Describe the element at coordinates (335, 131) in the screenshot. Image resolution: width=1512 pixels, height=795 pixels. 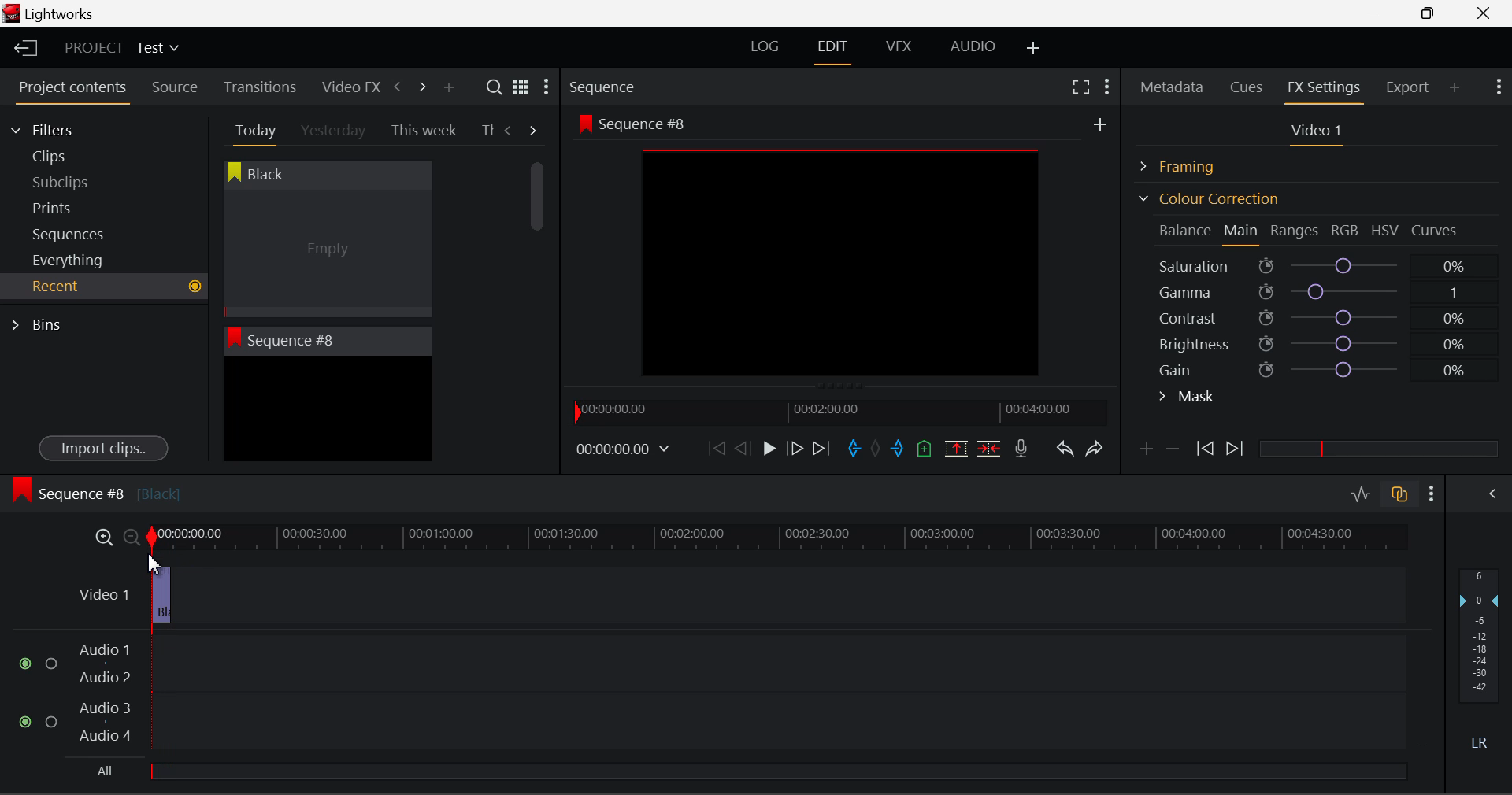
I see `Yesterday Tab` at that location.